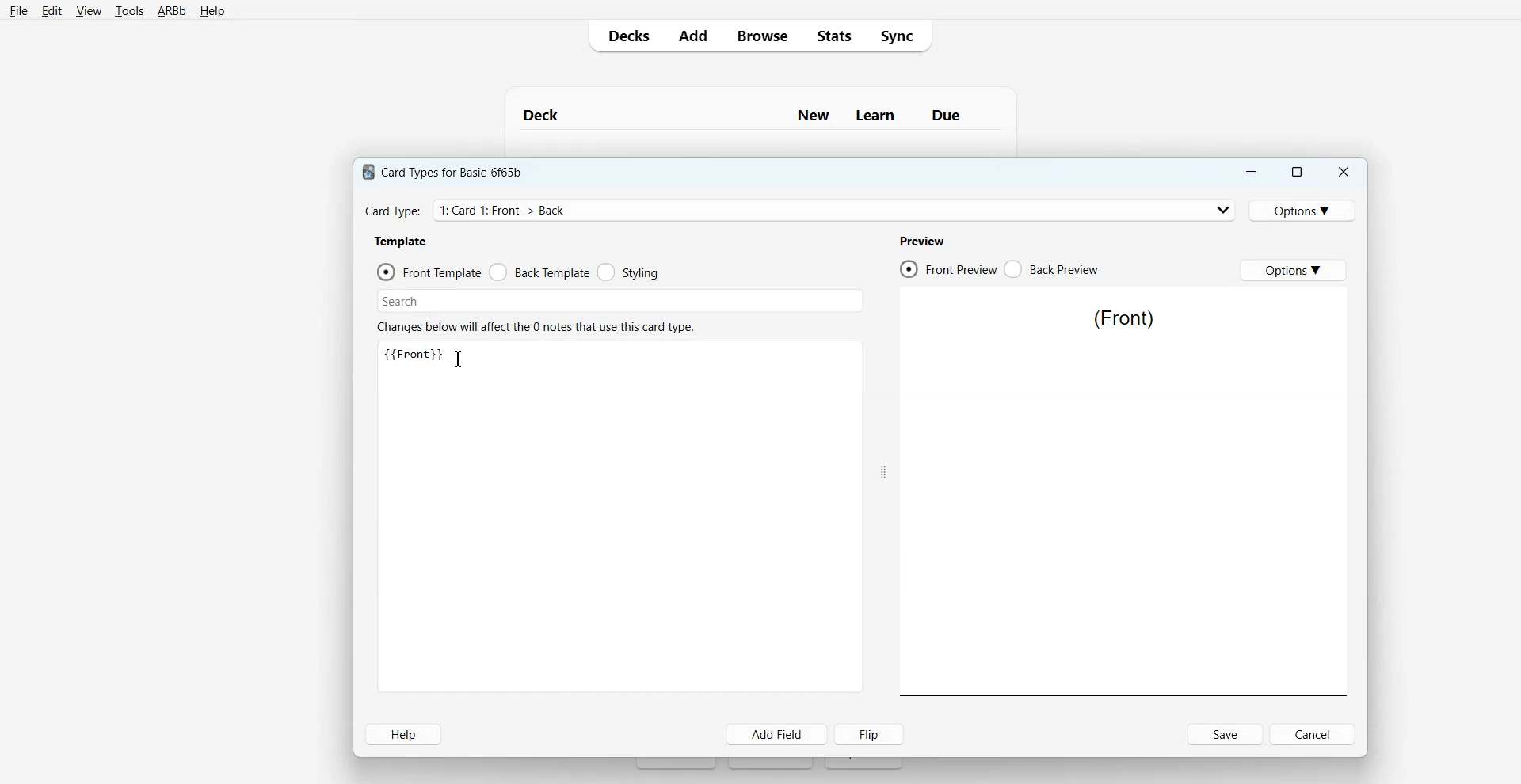  What do you see at coordinates (1294, 270) in the screenshot?
I see `Options` at bounding box center [1294, 270].